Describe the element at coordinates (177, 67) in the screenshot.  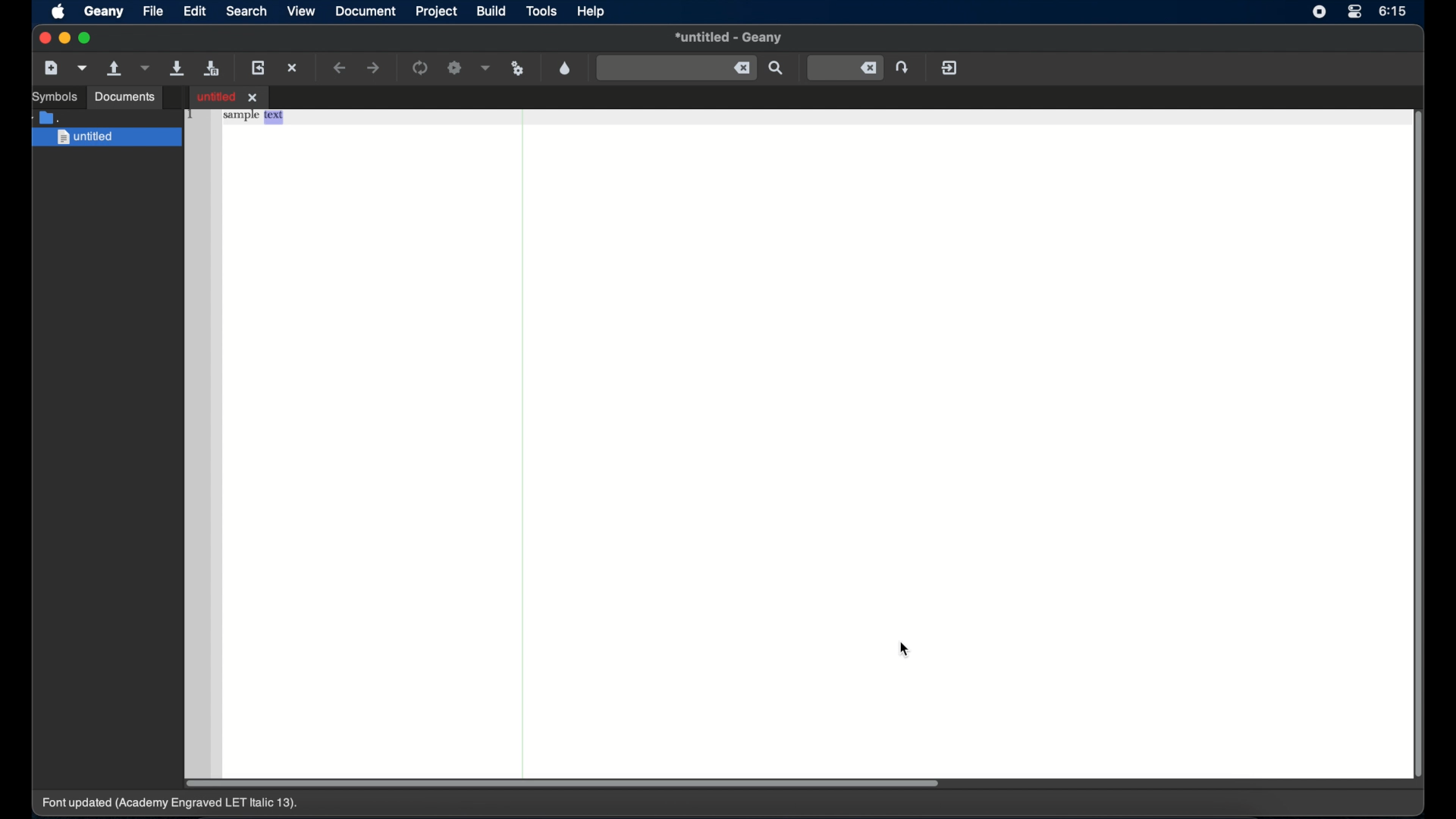
I see `save the current file` at that location.